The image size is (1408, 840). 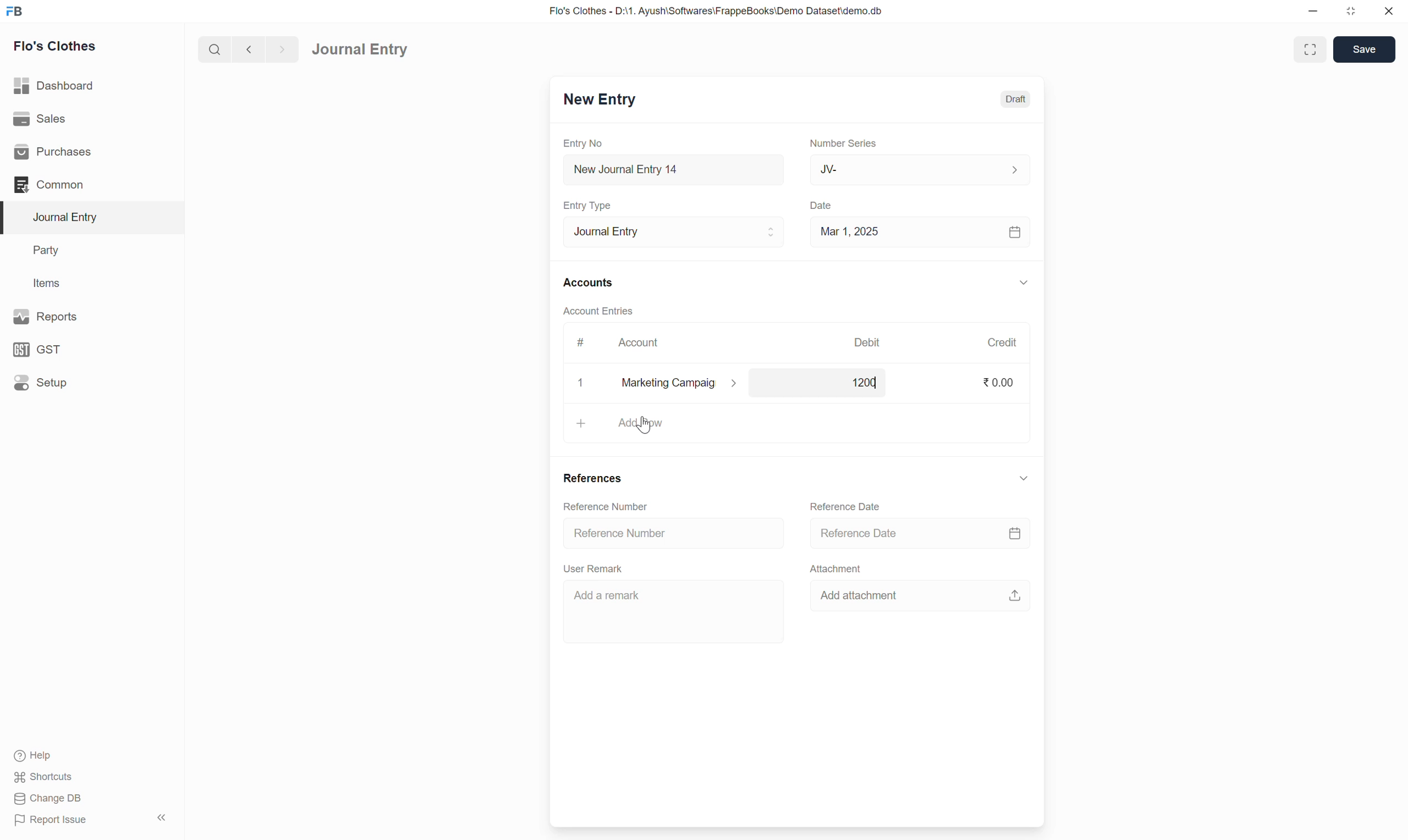 What do you see at coordinates (620, 532) in the screenshot?
I see `Reference Number` at bounding box center [620, 532].